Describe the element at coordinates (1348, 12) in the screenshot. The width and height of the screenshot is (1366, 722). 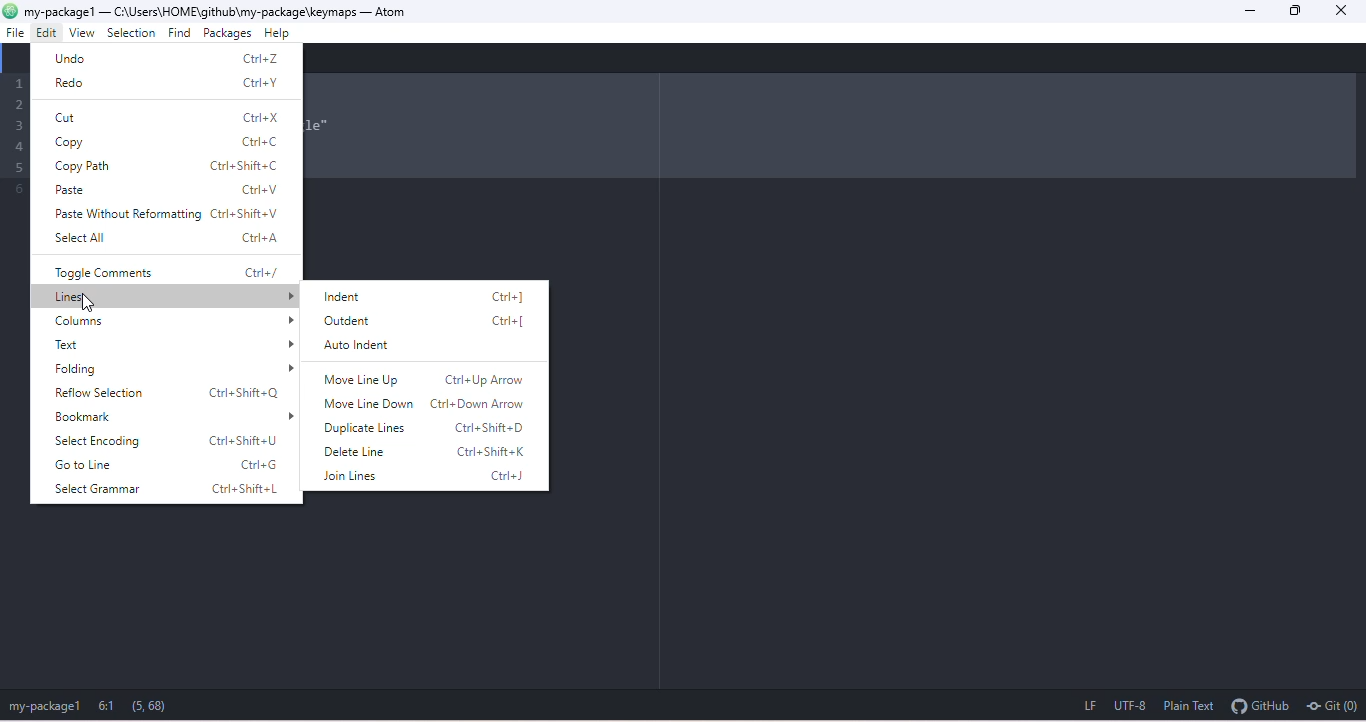
I see `close` at that location.